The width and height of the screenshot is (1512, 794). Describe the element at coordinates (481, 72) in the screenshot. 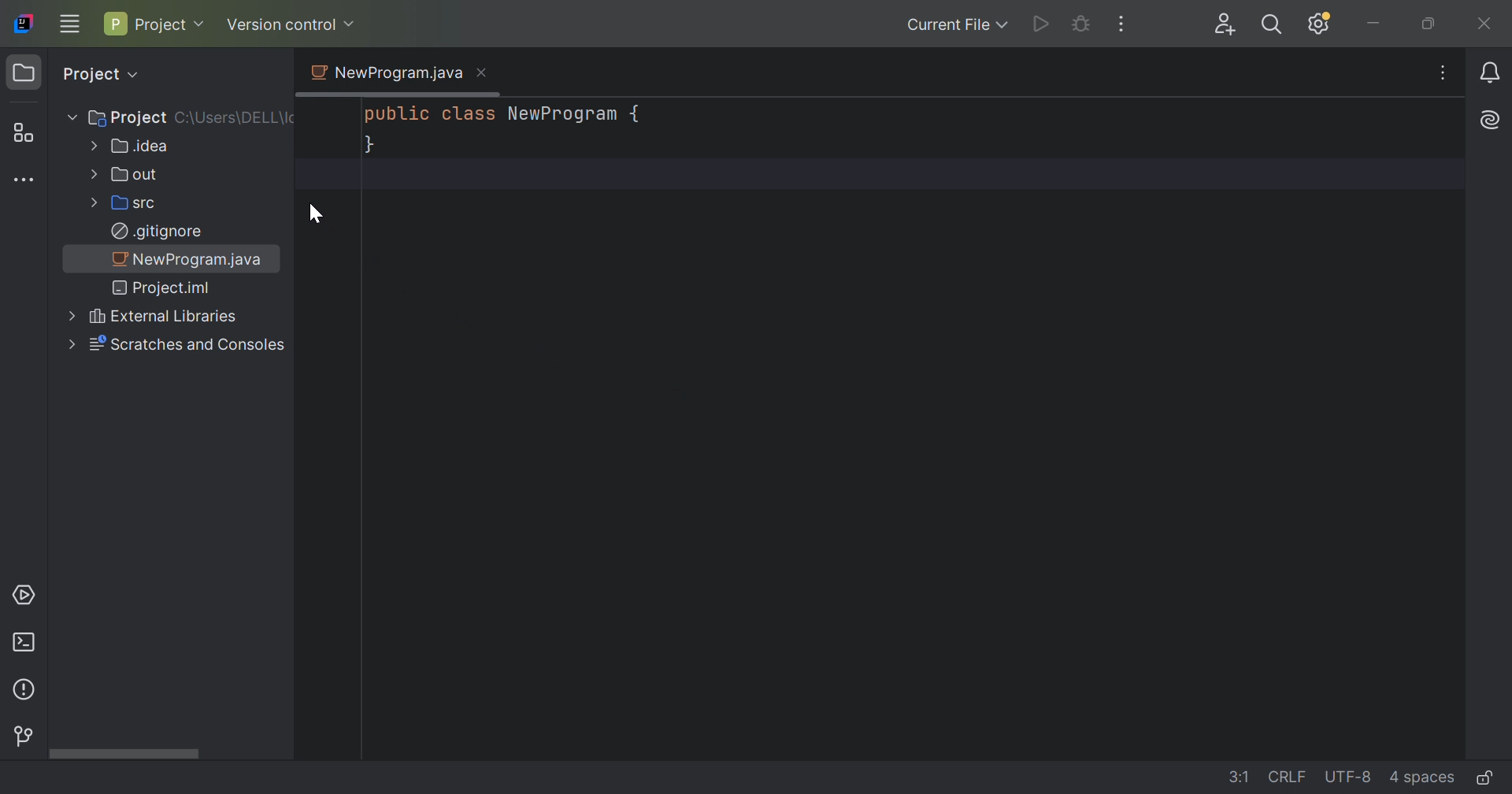

I see `Close` at that location.